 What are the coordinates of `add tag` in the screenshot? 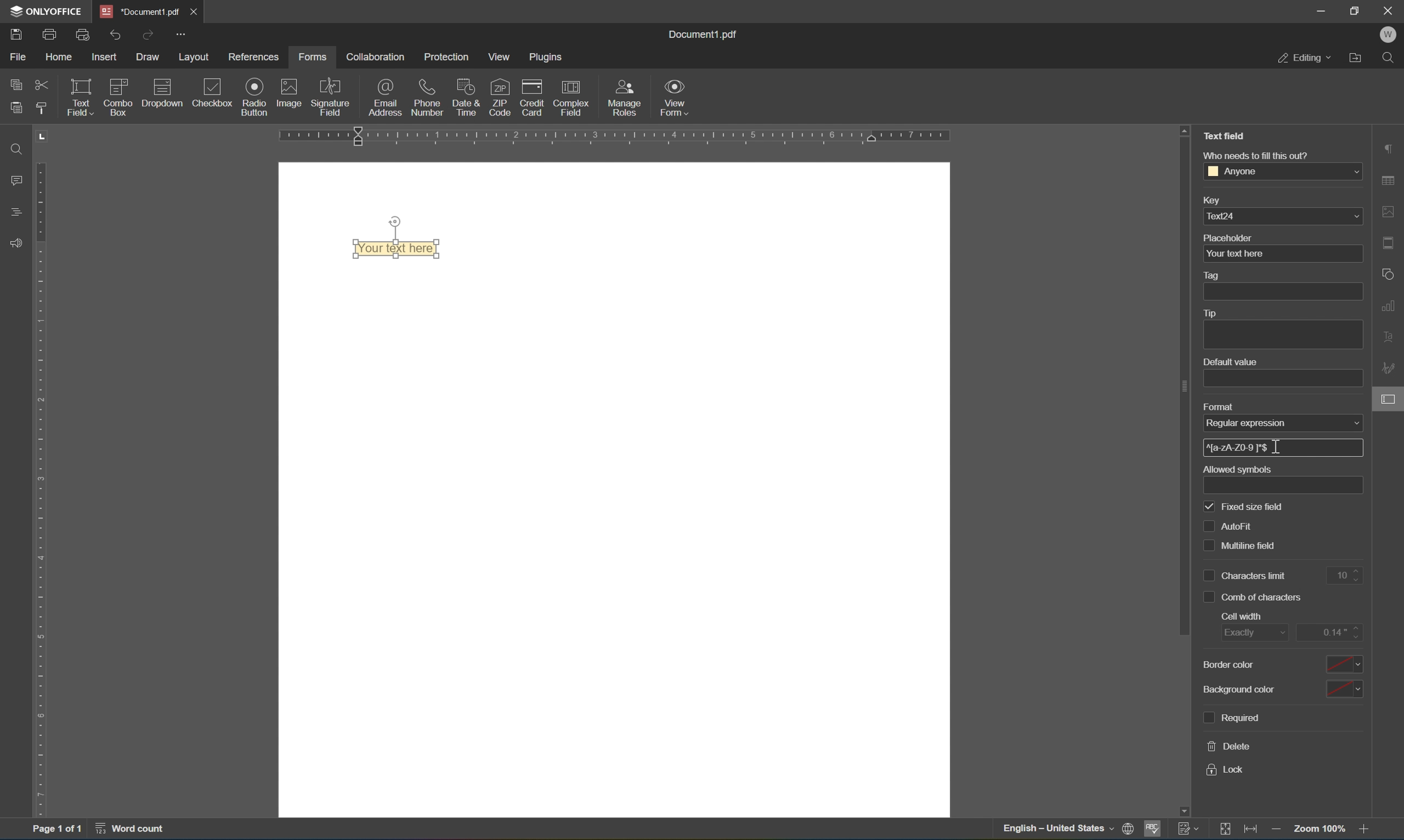 It's located at (1282, 292).